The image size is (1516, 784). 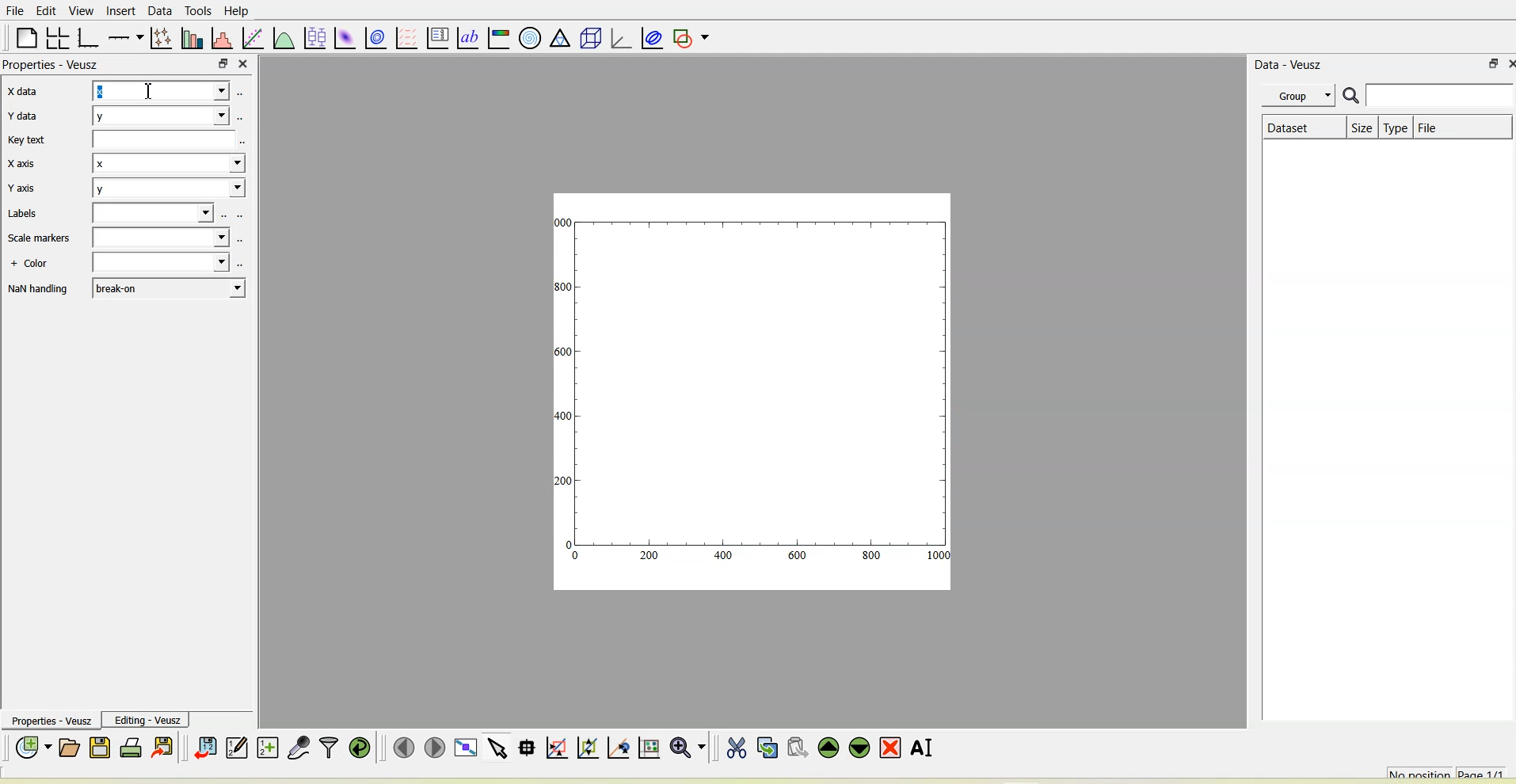 What do you see at coordinates (242, 215) in the screenshot?
I see `select using dataset browser` at bounding box center [242, 215].